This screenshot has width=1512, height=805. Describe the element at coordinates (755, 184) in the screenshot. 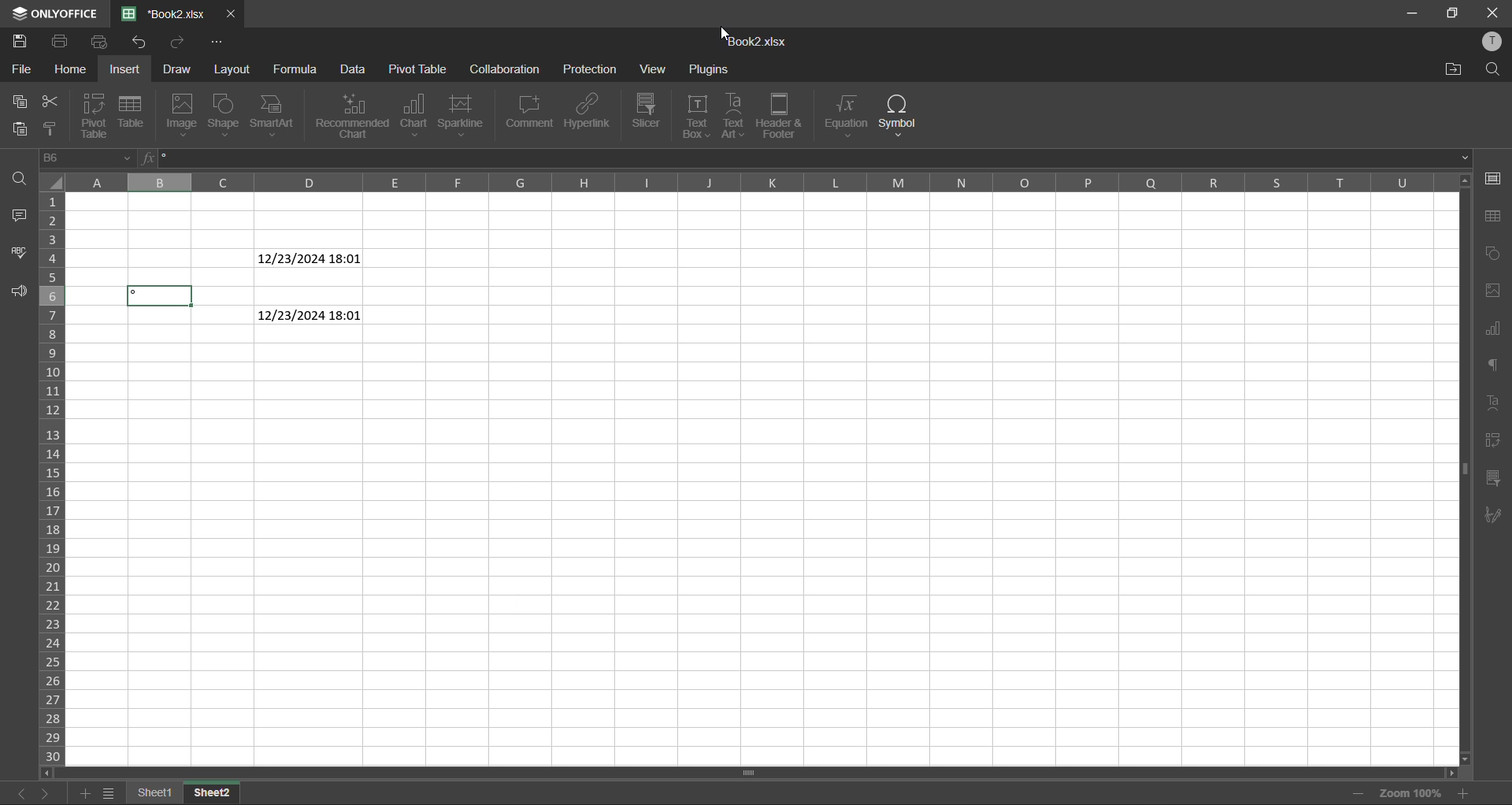

I see `column names in alphabets` at that location.